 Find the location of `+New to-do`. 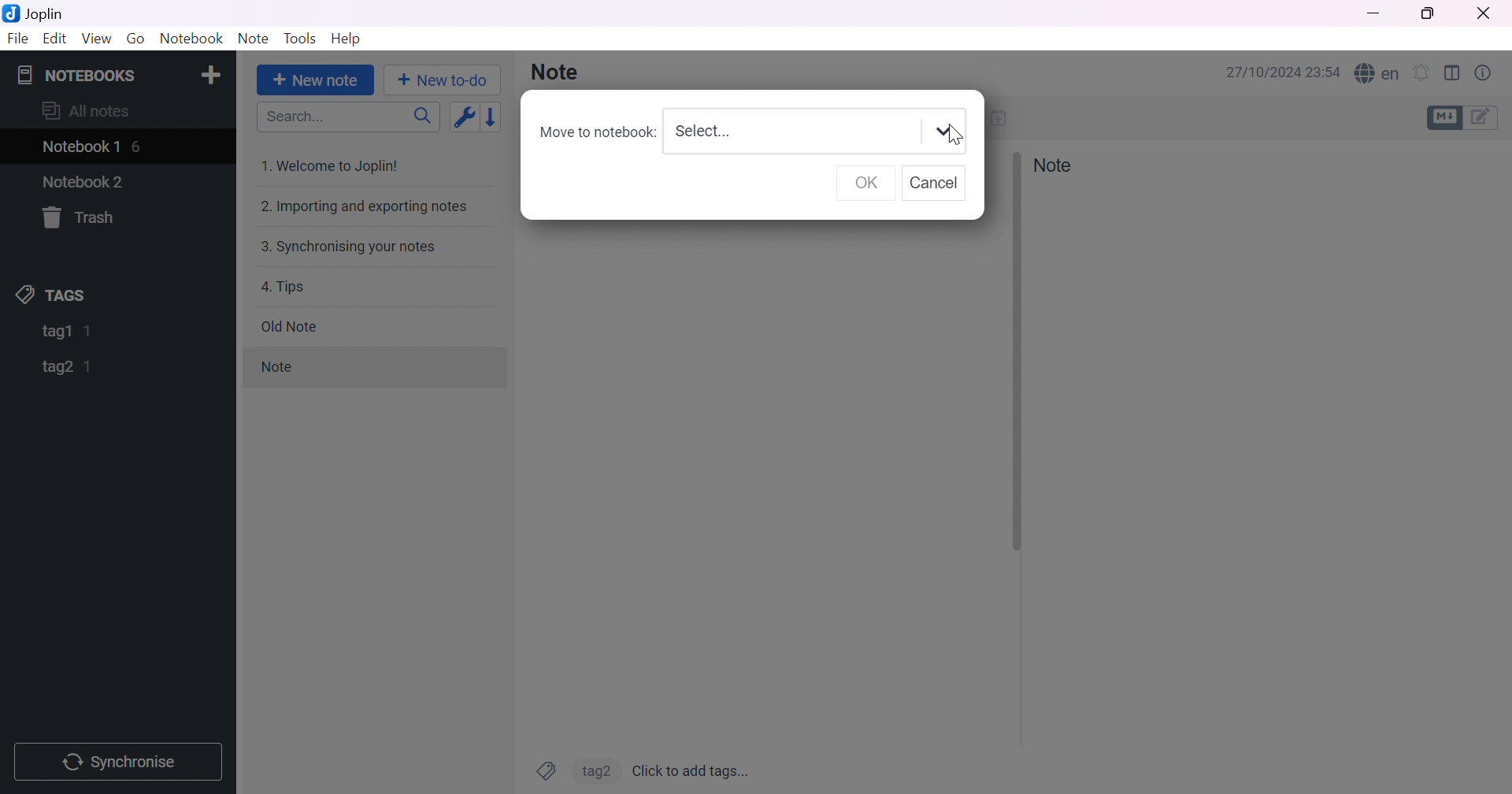

+New to-do is located at coordinates (447, 81).